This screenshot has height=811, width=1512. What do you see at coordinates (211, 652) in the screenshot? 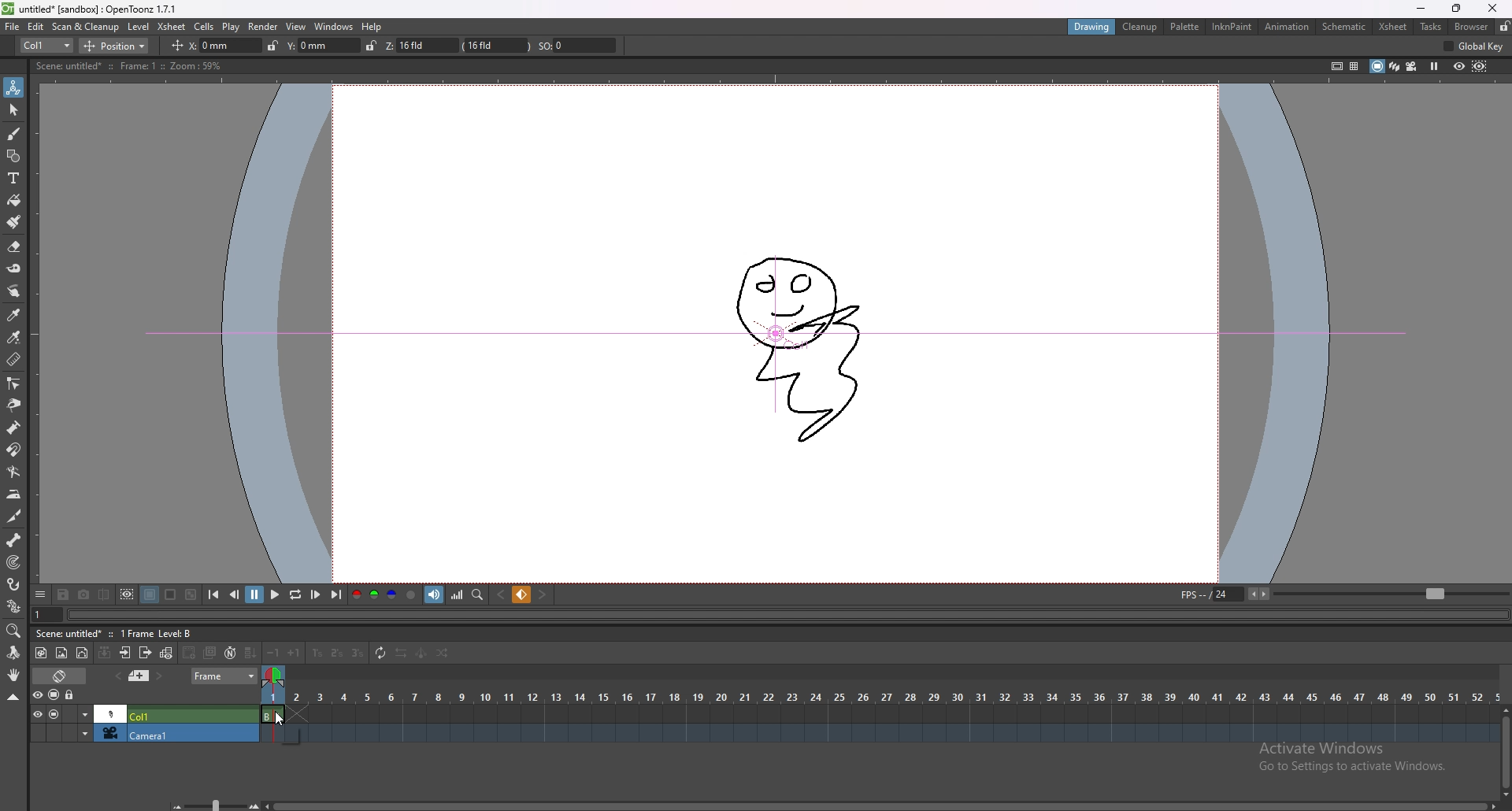
I see `duplicate drawing` at bounding box center [211, 652].